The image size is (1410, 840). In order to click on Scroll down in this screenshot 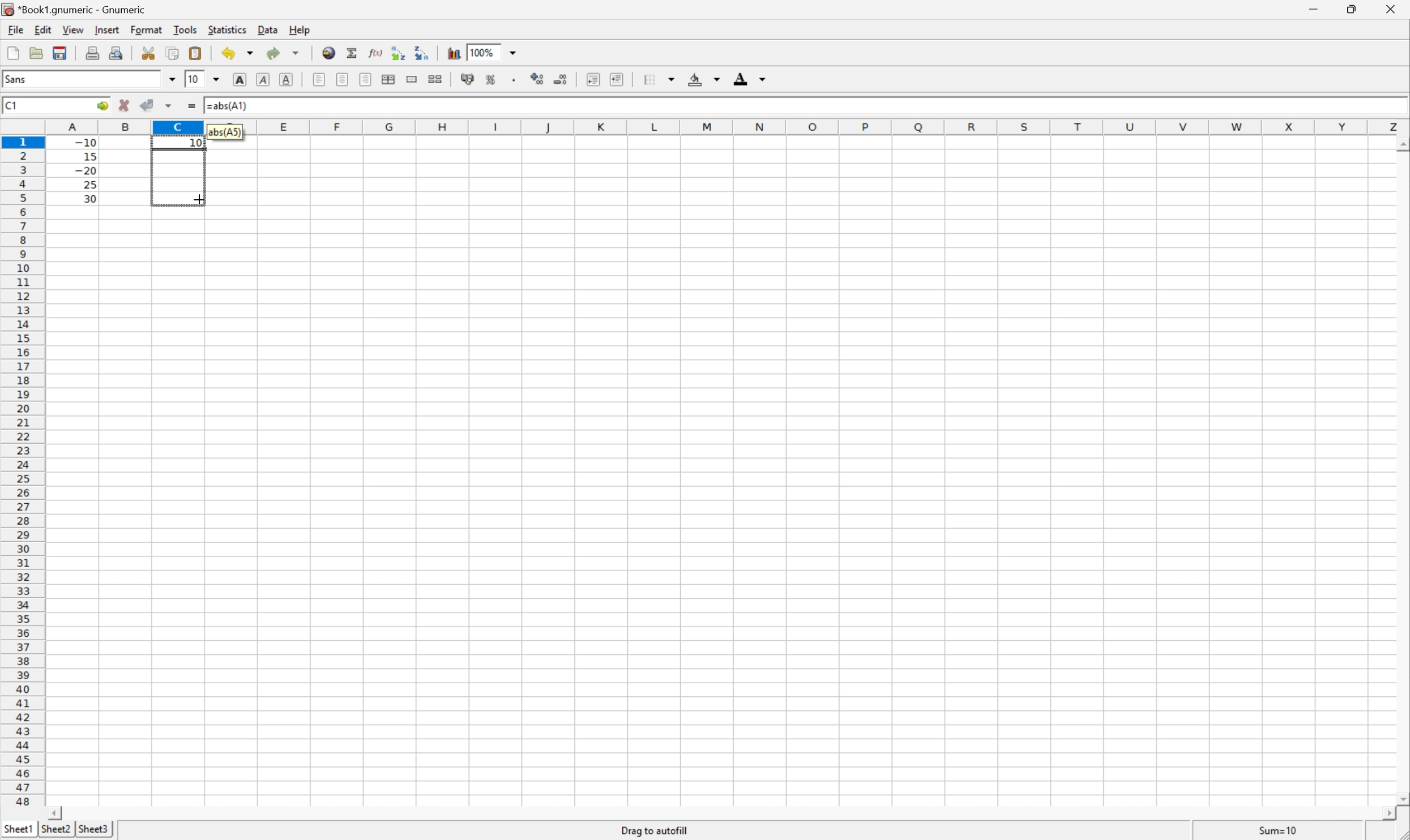, I will do `click(1401, 797)`.